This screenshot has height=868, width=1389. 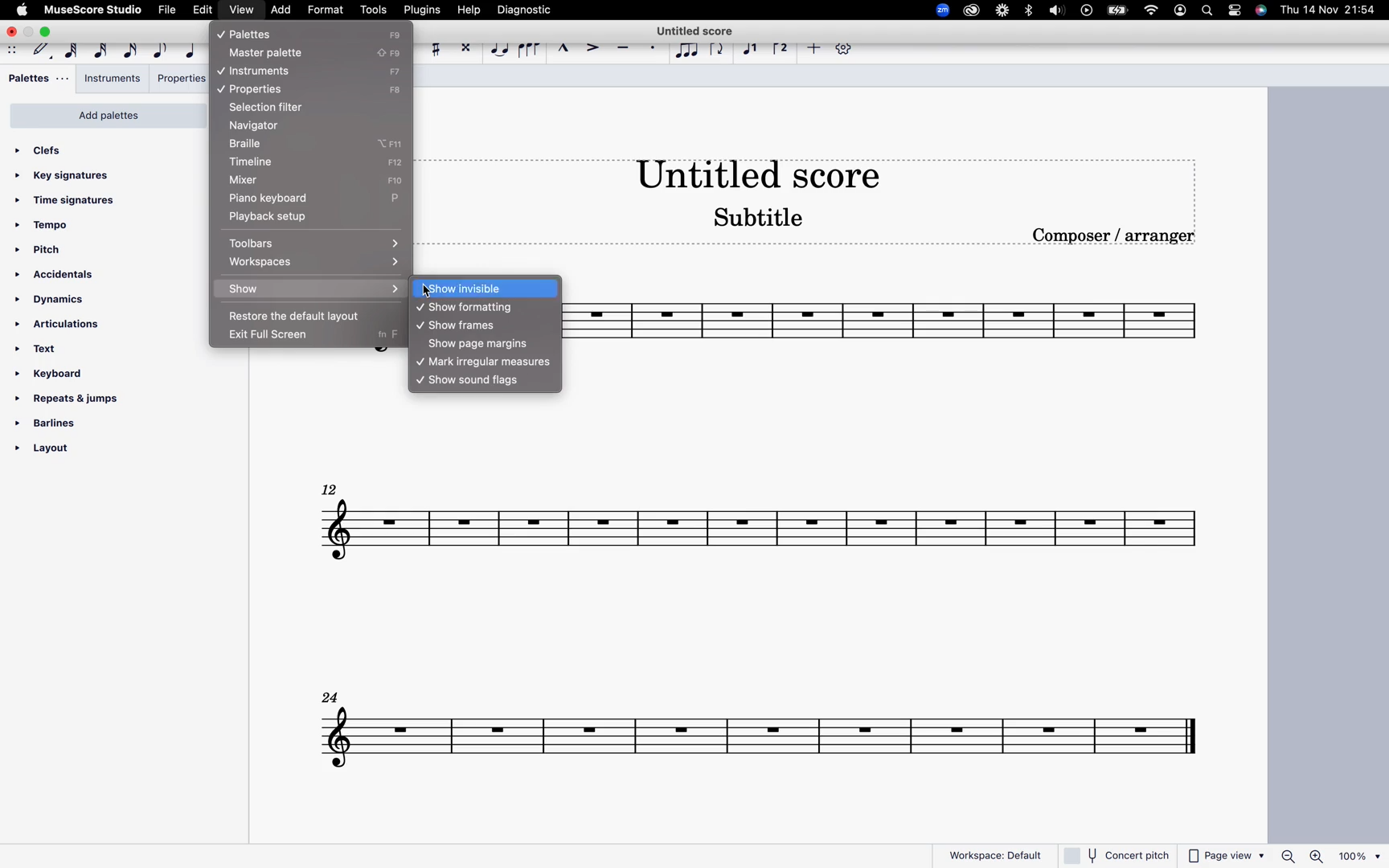 What do you see at coordinates (470, 324) in the screenshot?
I see `show frames` at bounding box center [470, 324].